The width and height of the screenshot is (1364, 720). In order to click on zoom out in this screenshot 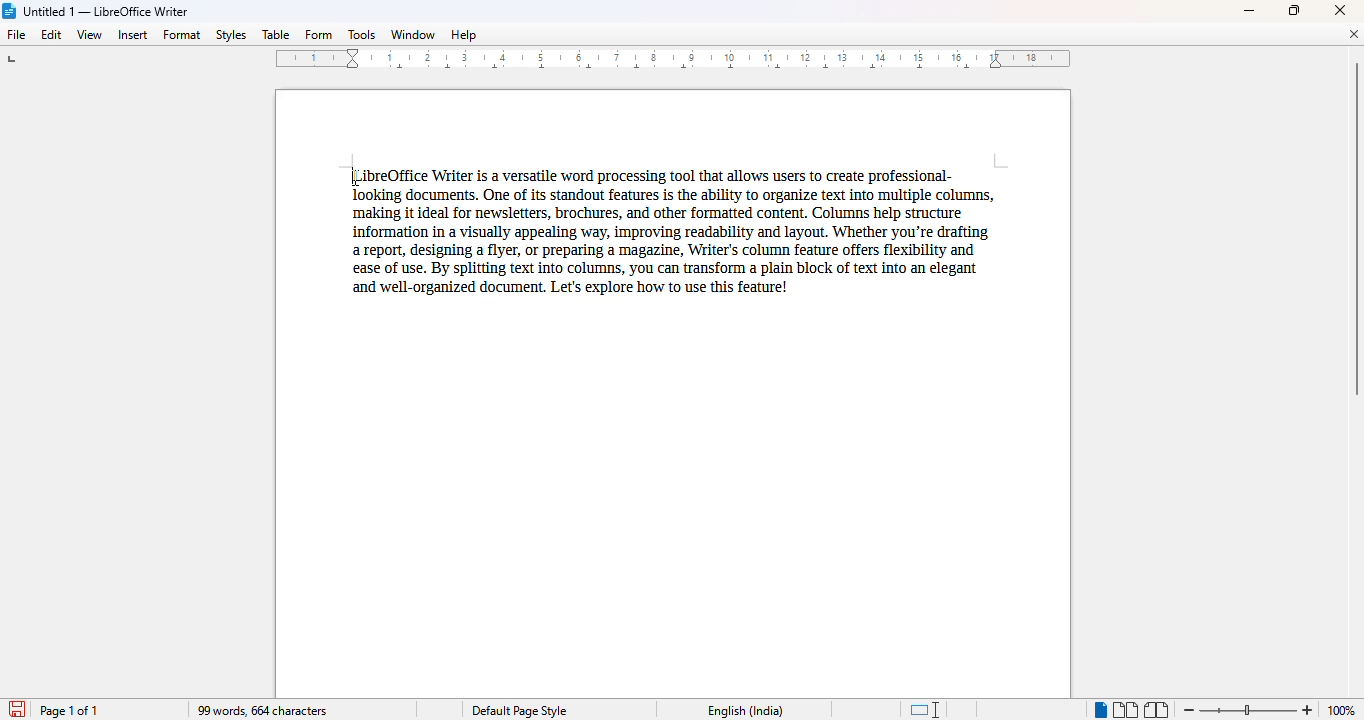, I will do `click(1190, 710)`.